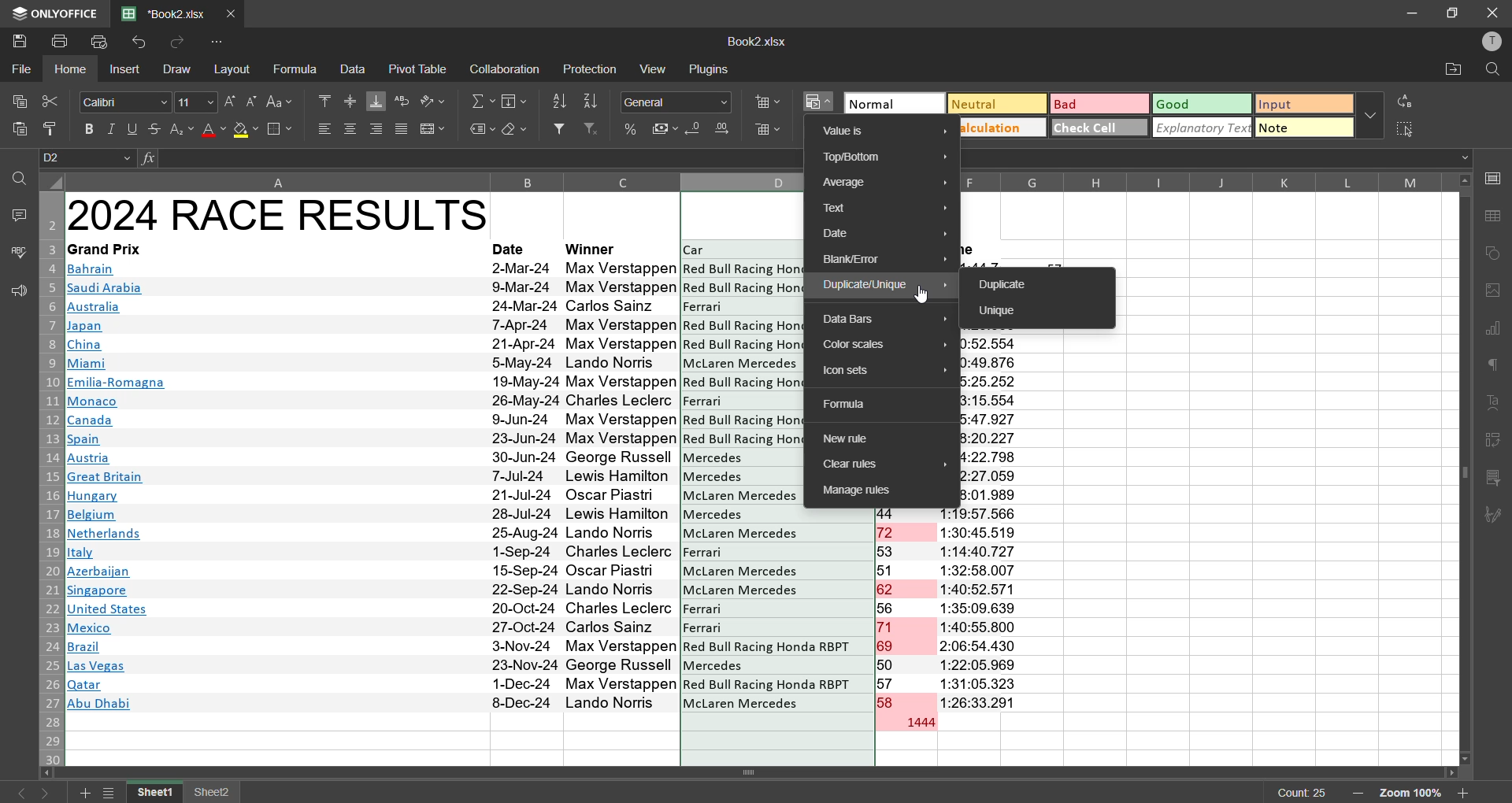 Image resolution: width=1512 pixels, height=803 pixels. I want to click on check cell, so click(1096, 126).